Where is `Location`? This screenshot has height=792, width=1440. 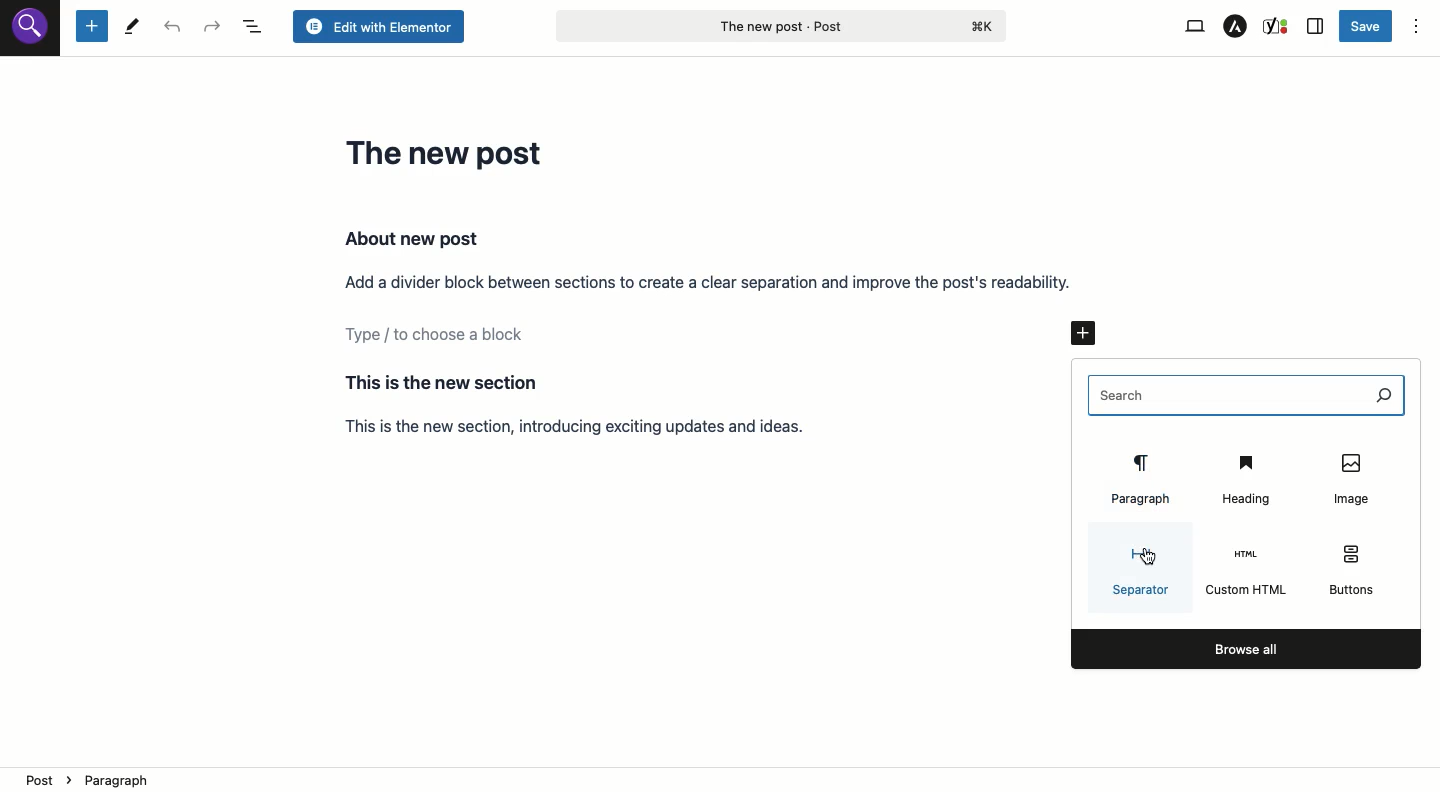 Location is located at coordinates (722, 779).